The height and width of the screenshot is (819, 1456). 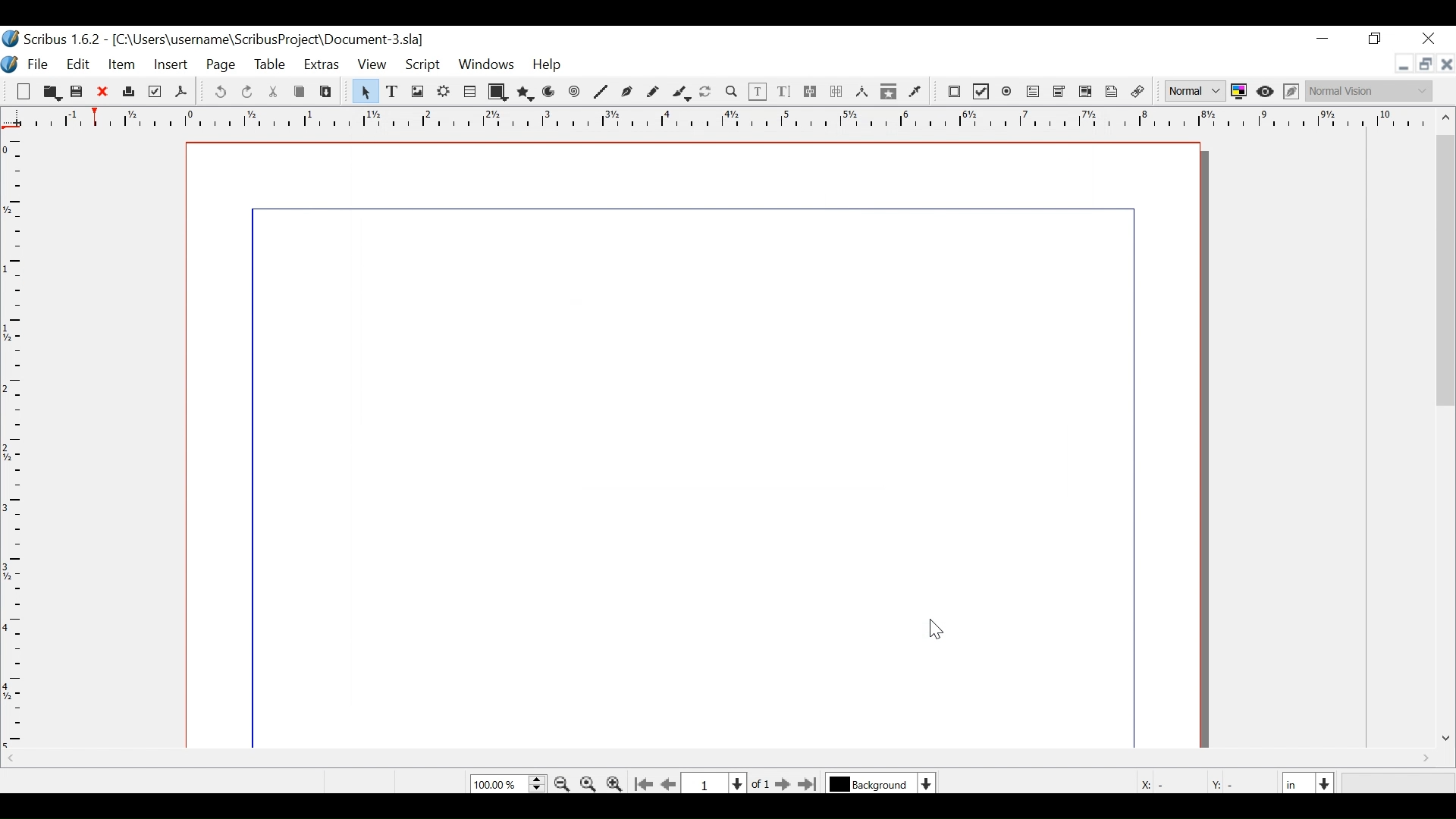 I want to click on Close, so click(x=1446, y=64).